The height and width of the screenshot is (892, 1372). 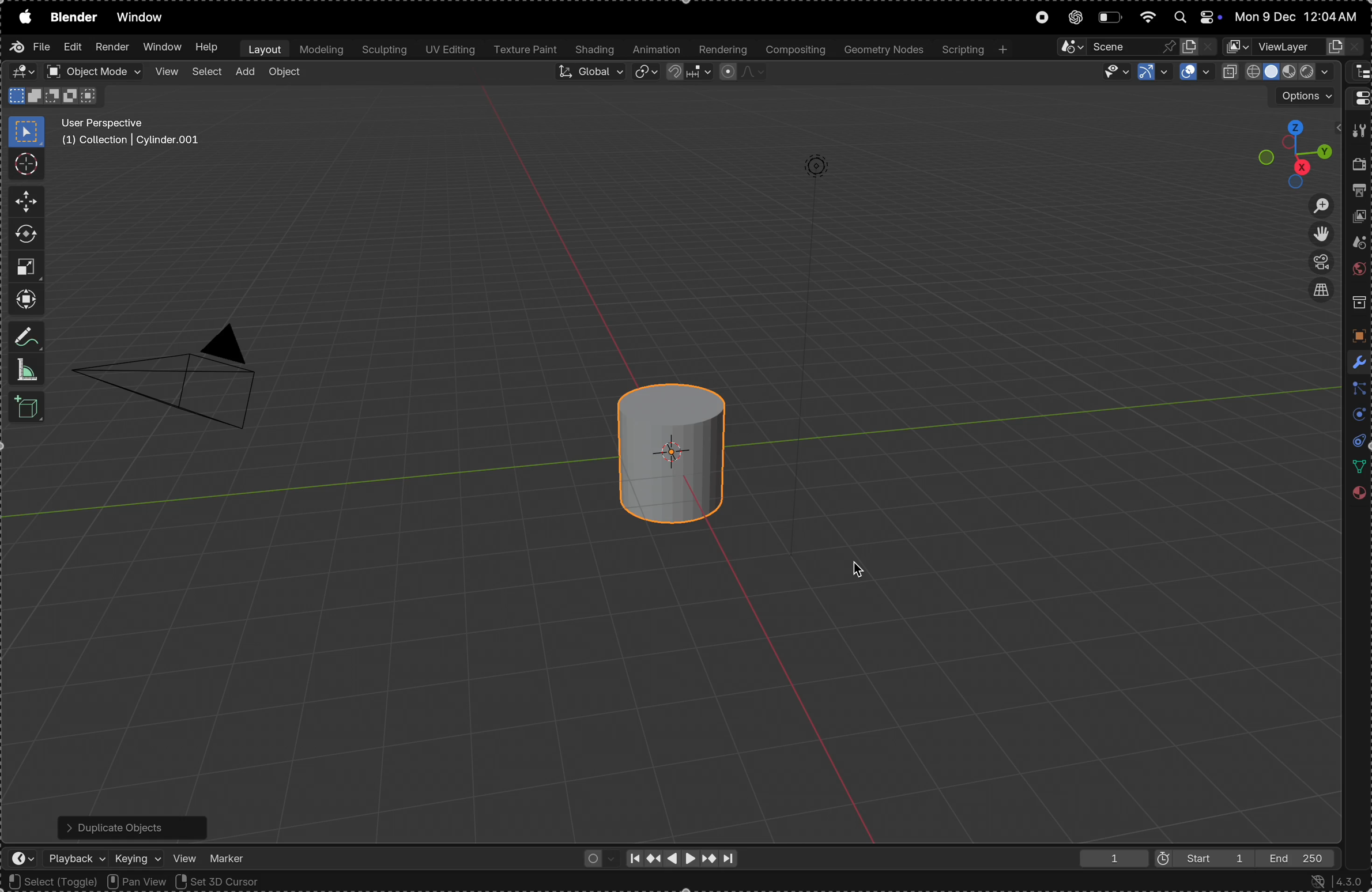 What do you see at coordinates (17, 860) in the screenshot?
I see `editor type` at bounding box center [17, 860].